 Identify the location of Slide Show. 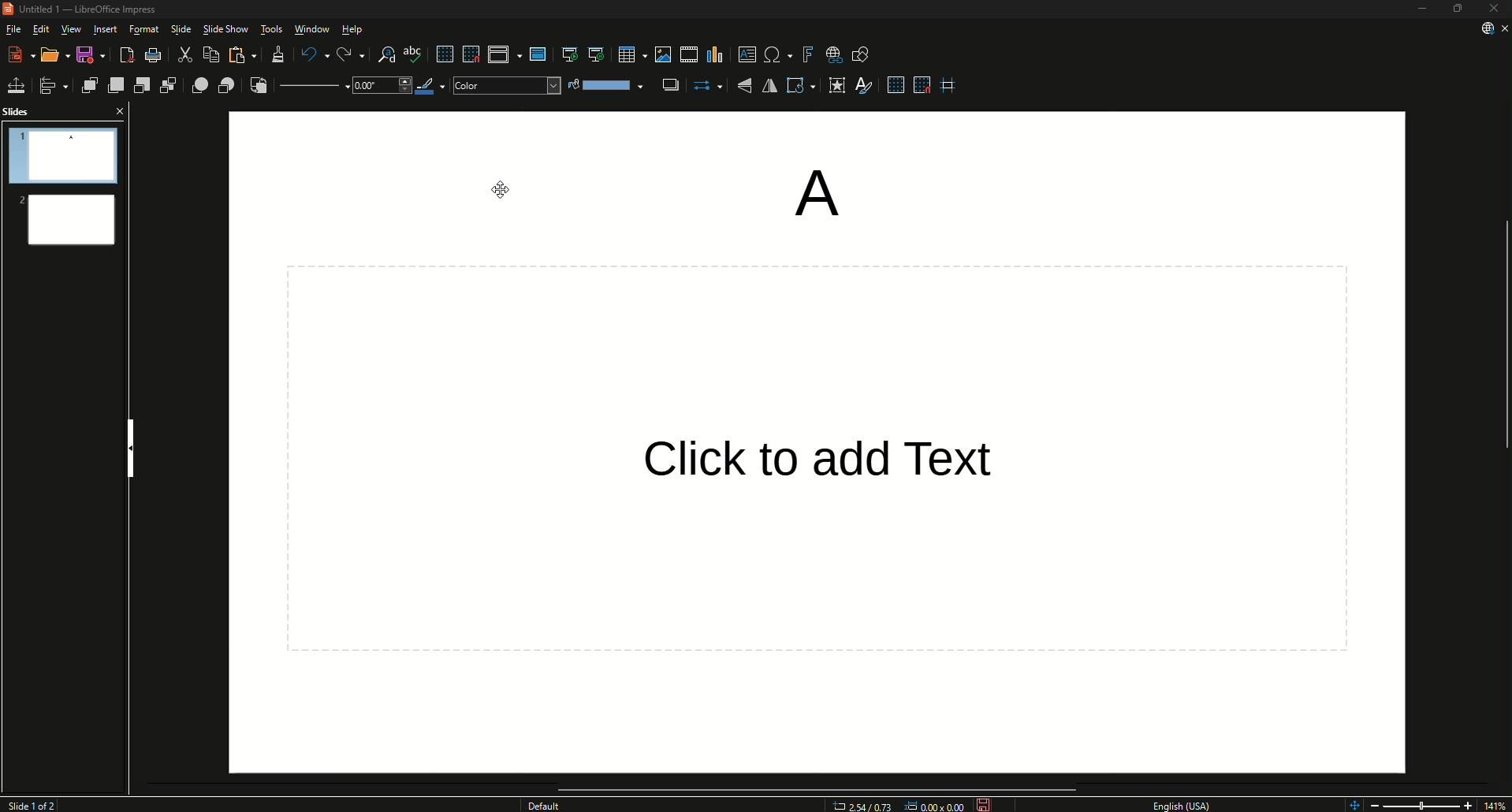
(226, 30).